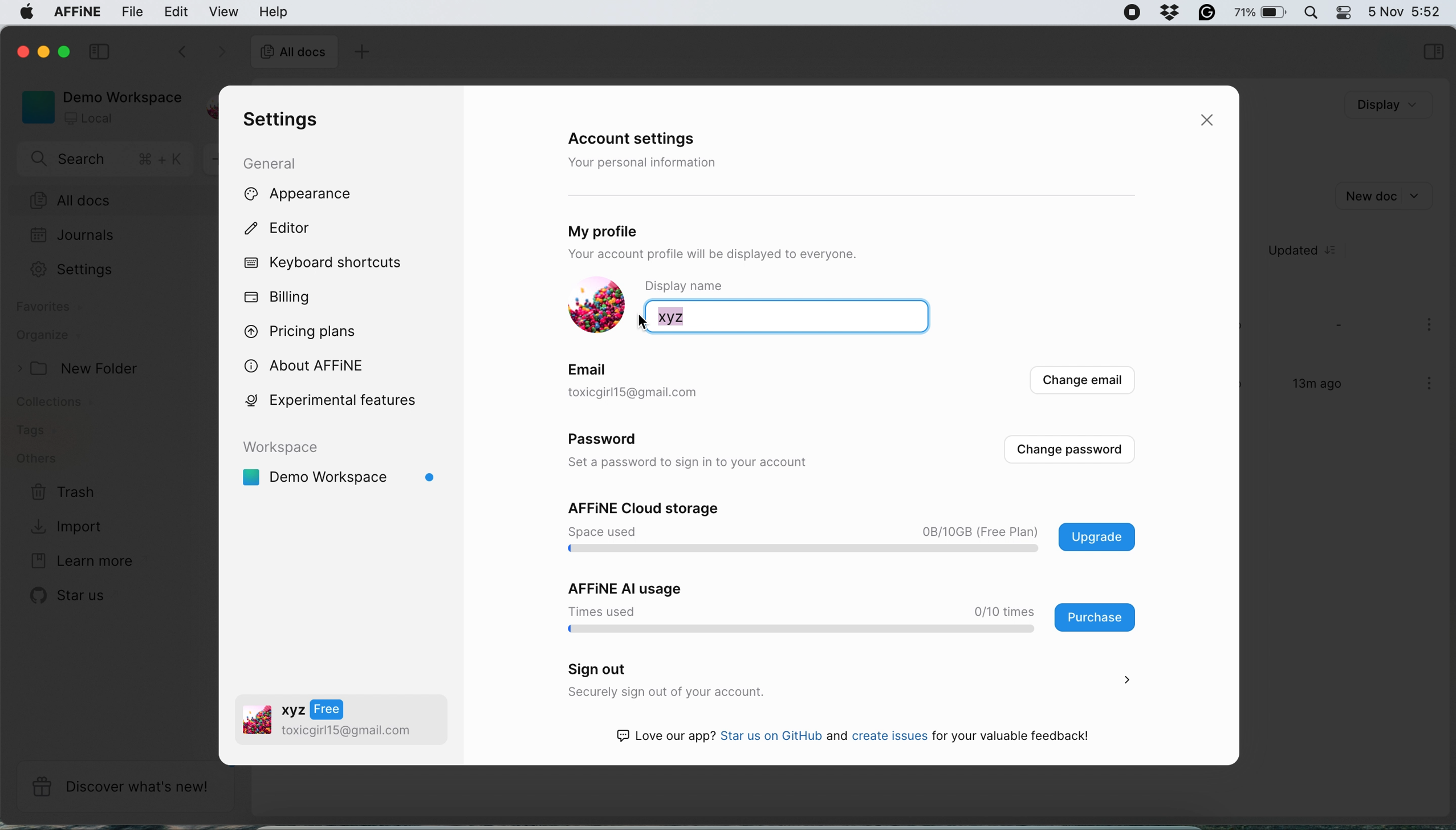 This screenshot has width=1456, height=830. Describe the element at coordinates (1433, 53) in the screenshot. I see `selections` at that location.